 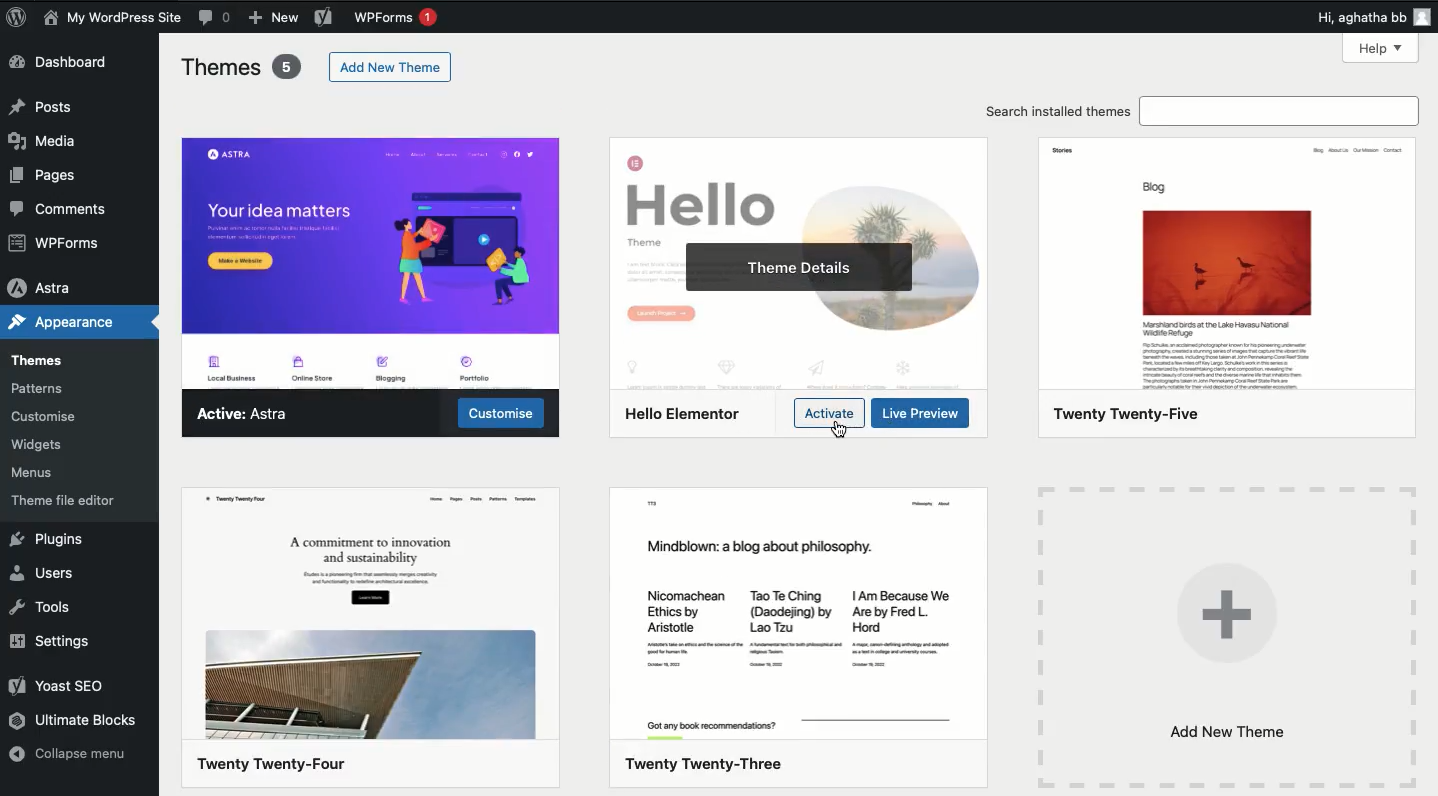 What do you see at coordinates (42, 473) in the screenshot?
I see `menus` at bounding box center [42, 473].